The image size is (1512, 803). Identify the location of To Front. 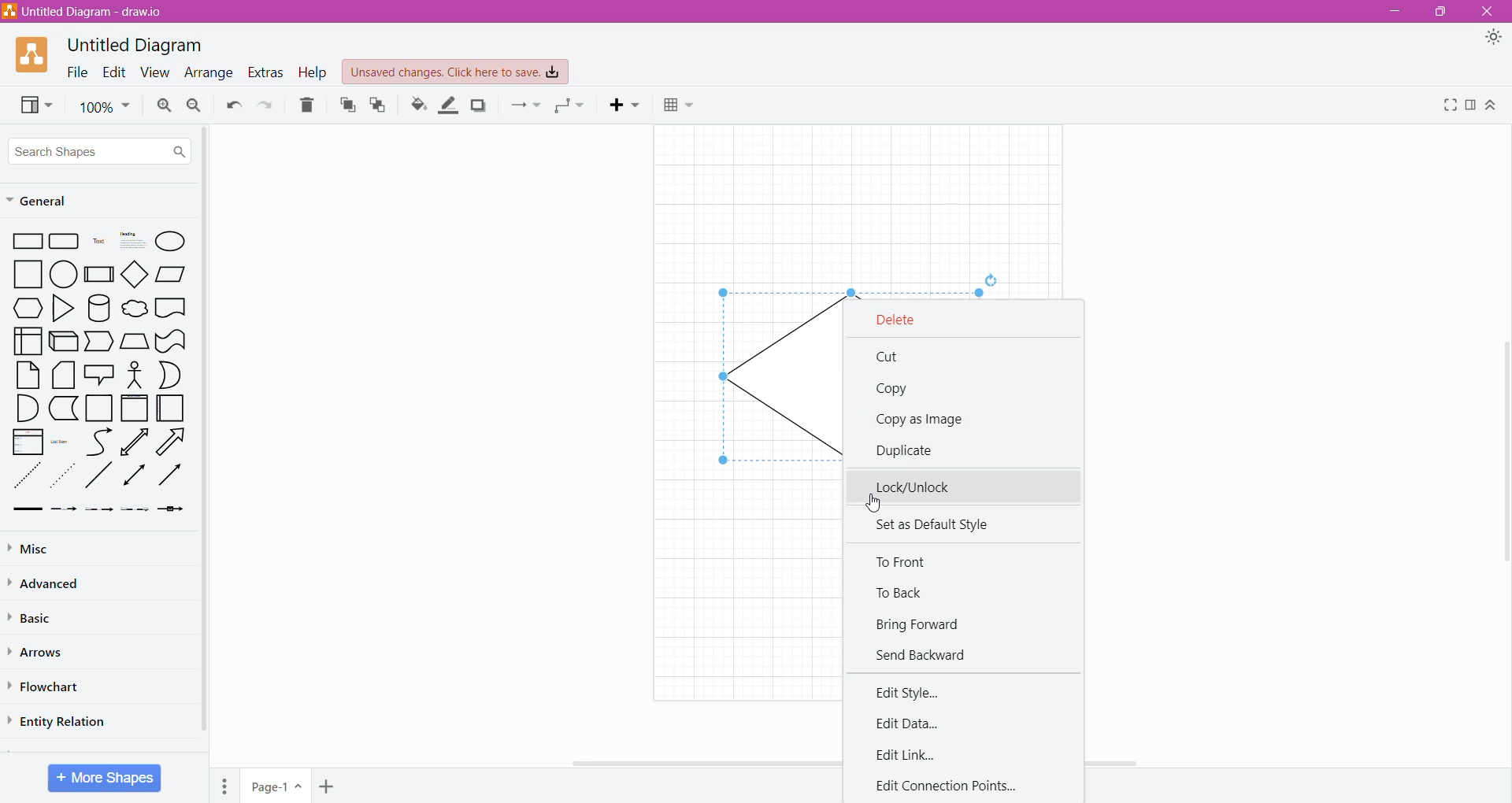
(345, 107).